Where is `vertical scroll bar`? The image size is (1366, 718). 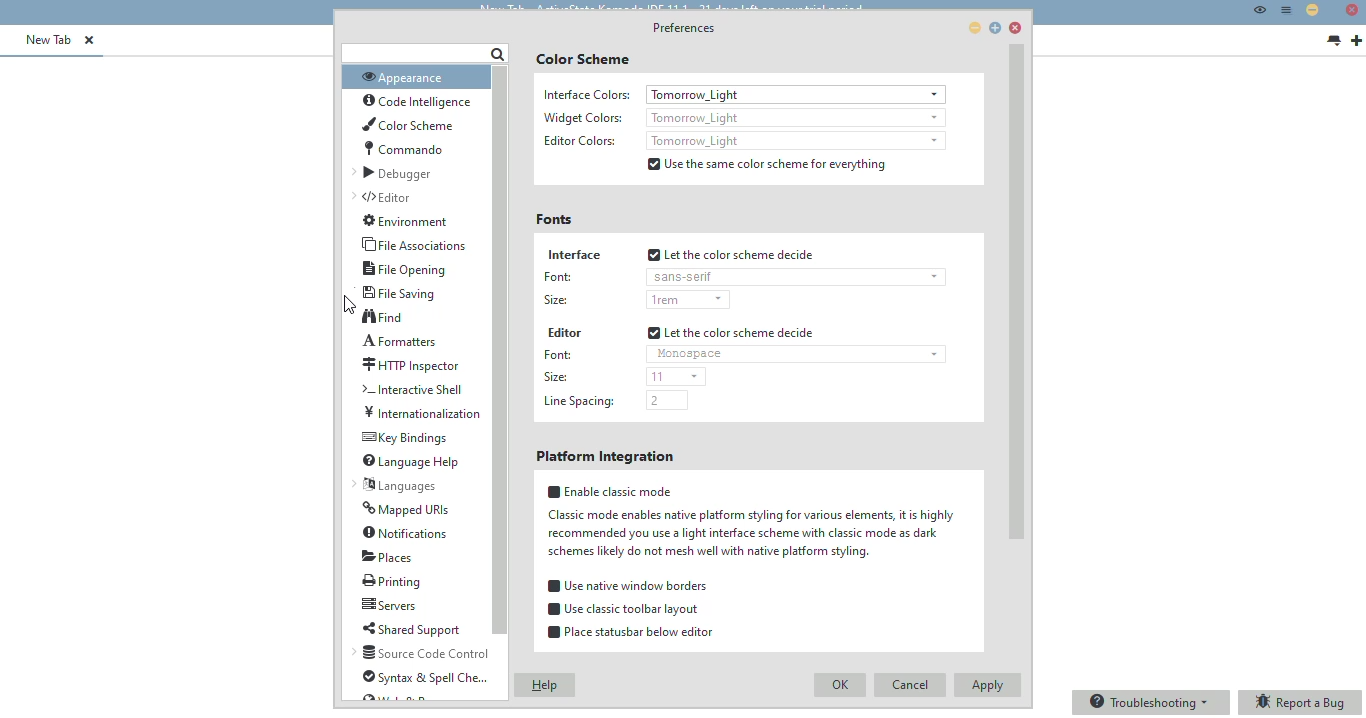
vertical scroll bar is located at coordinates (1014, 293).